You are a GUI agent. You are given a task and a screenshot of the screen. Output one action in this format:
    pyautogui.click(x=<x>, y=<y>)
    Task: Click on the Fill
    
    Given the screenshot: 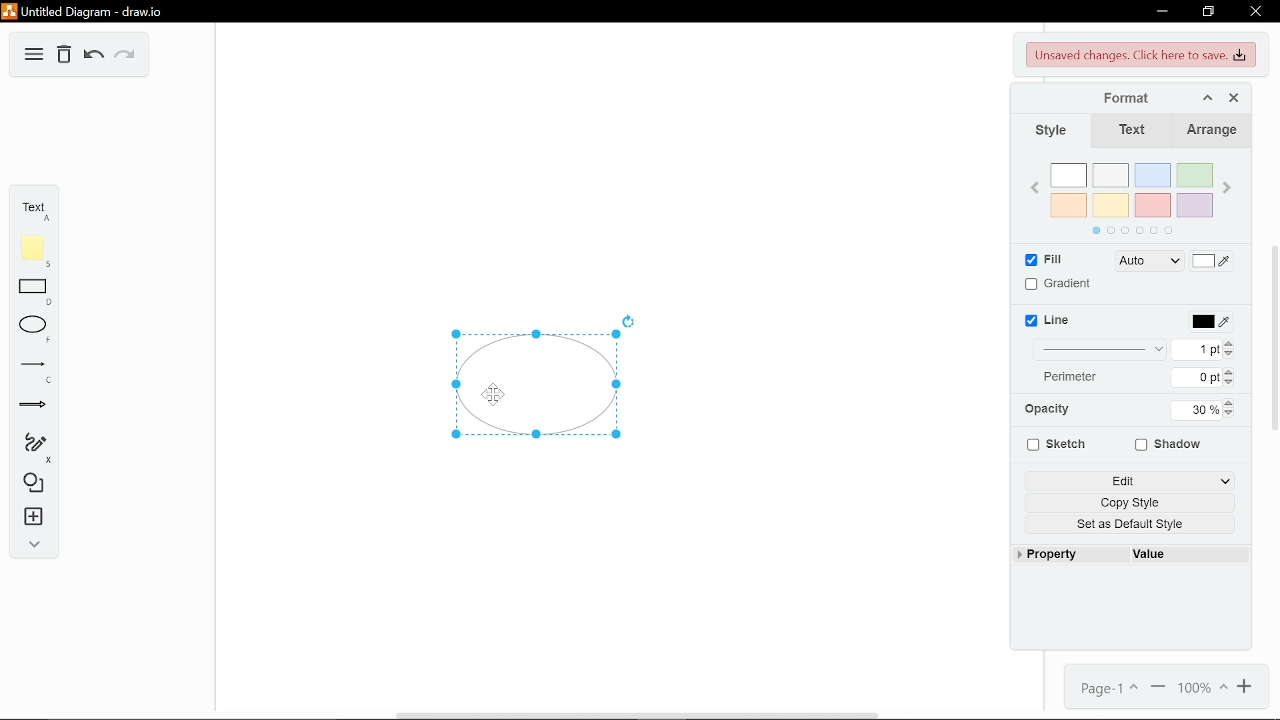 What is the action you would take?
    pyautogui.click(x=1044, y=260)
    